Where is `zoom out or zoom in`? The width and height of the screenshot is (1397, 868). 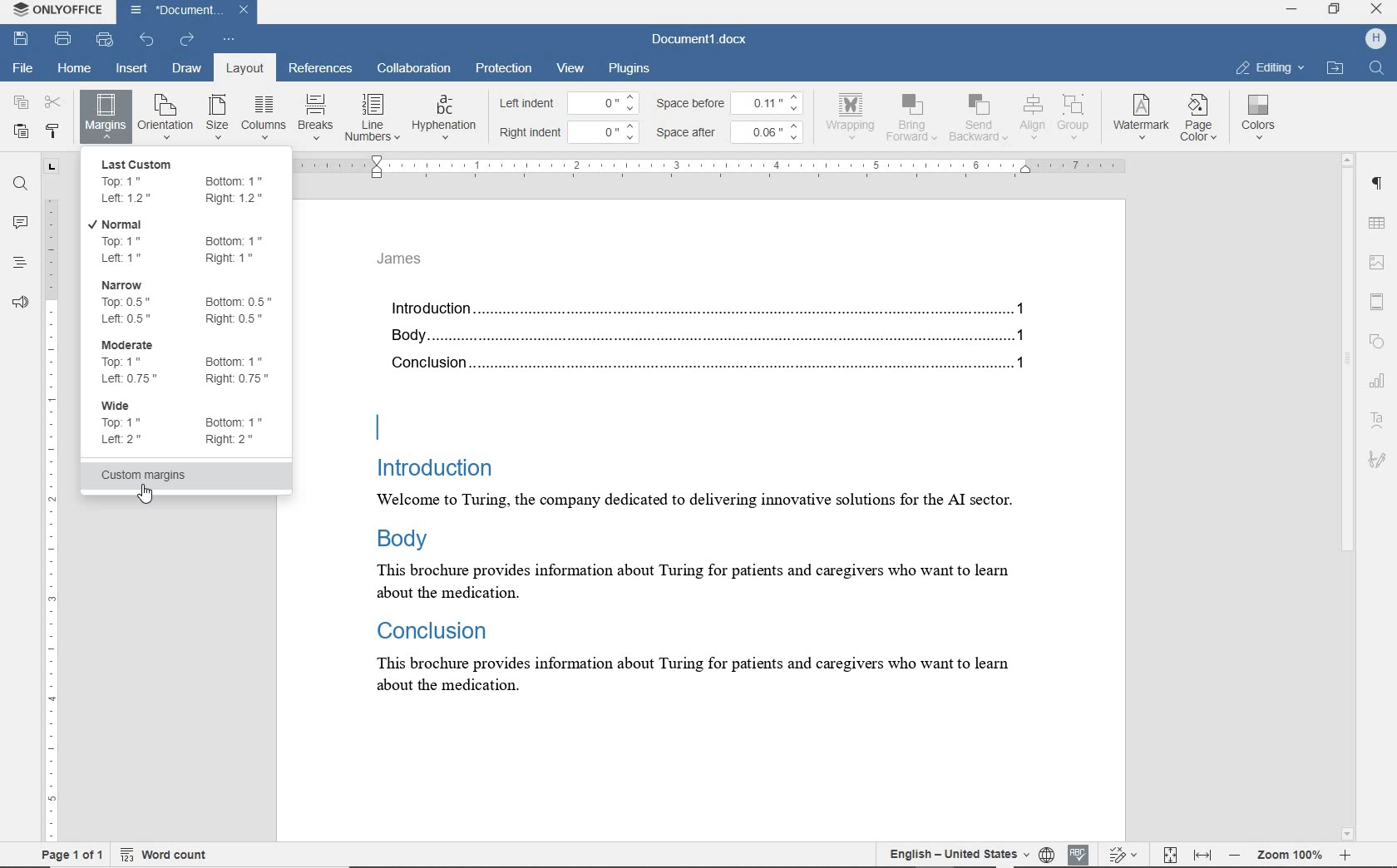
zoom out or zoom in is located at coordinates (1290, 854).